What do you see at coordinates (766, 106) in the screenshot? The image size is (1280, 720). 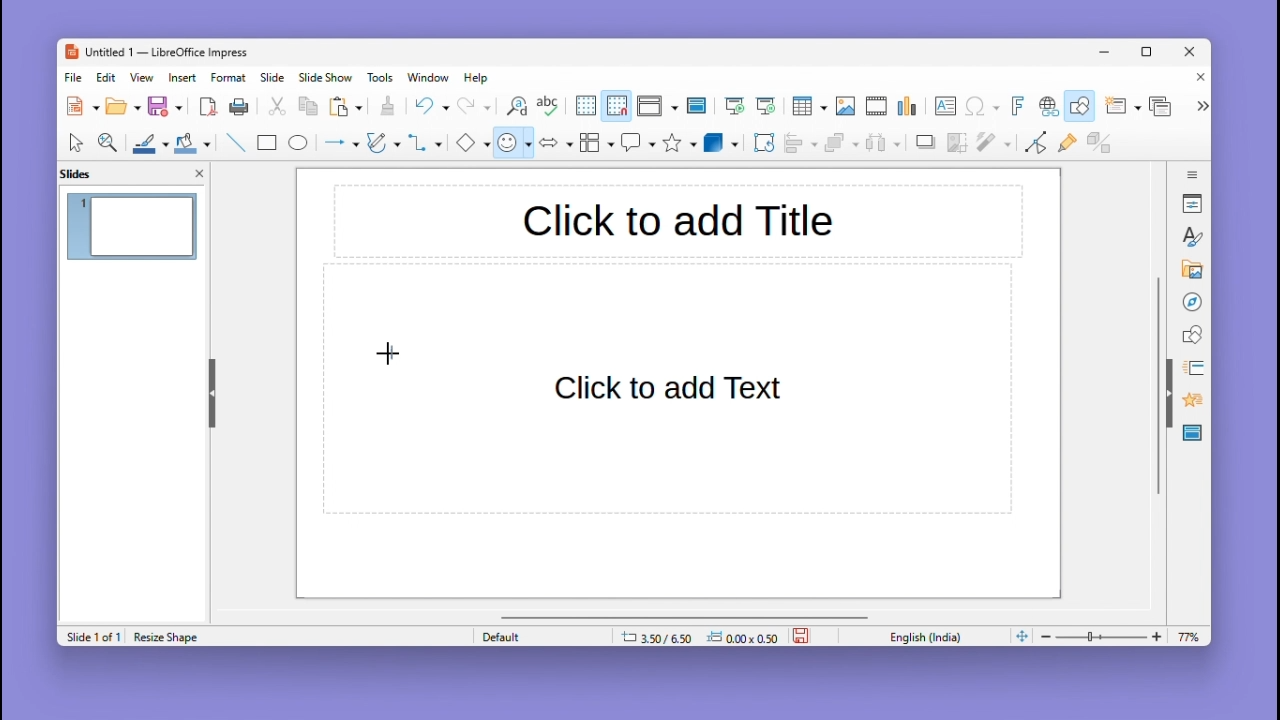 I see `Last slide` at bounding box center [766, 106].